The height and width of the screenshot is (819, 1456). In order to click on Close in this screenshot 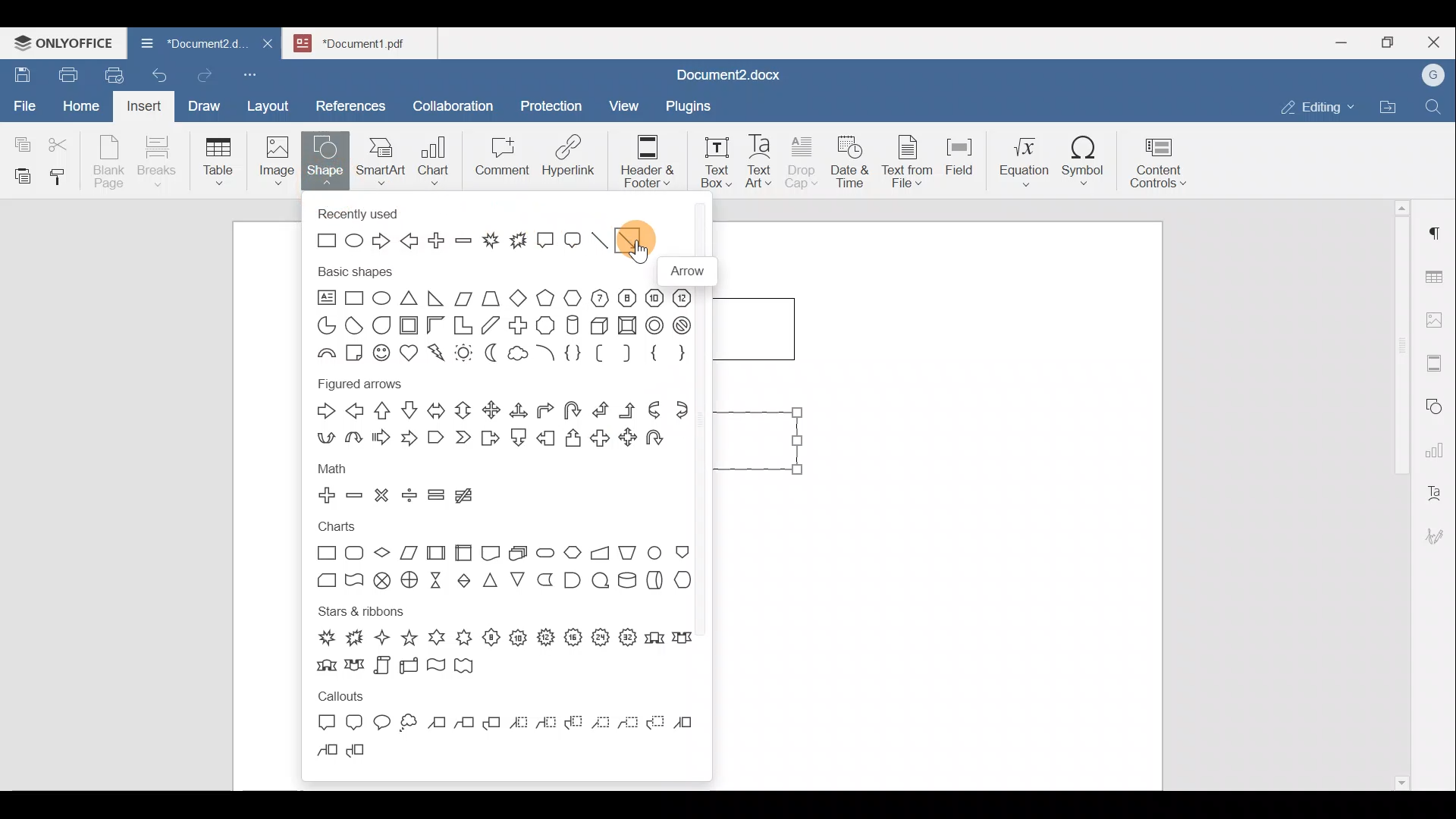, I will do `click(1436, 43)`.